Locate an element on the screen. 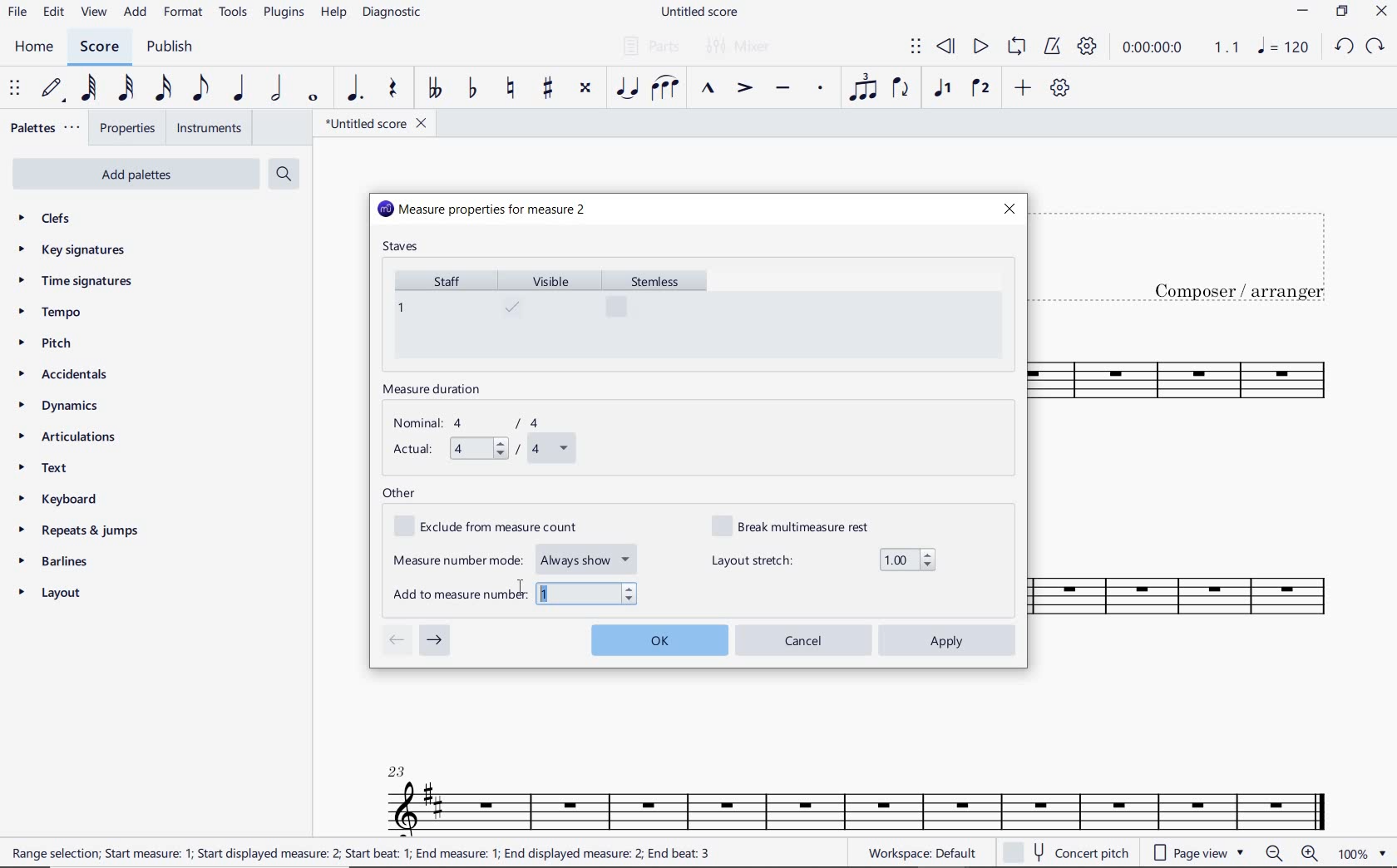  SELECET TO MOVE is located at coordinates (15, 90).